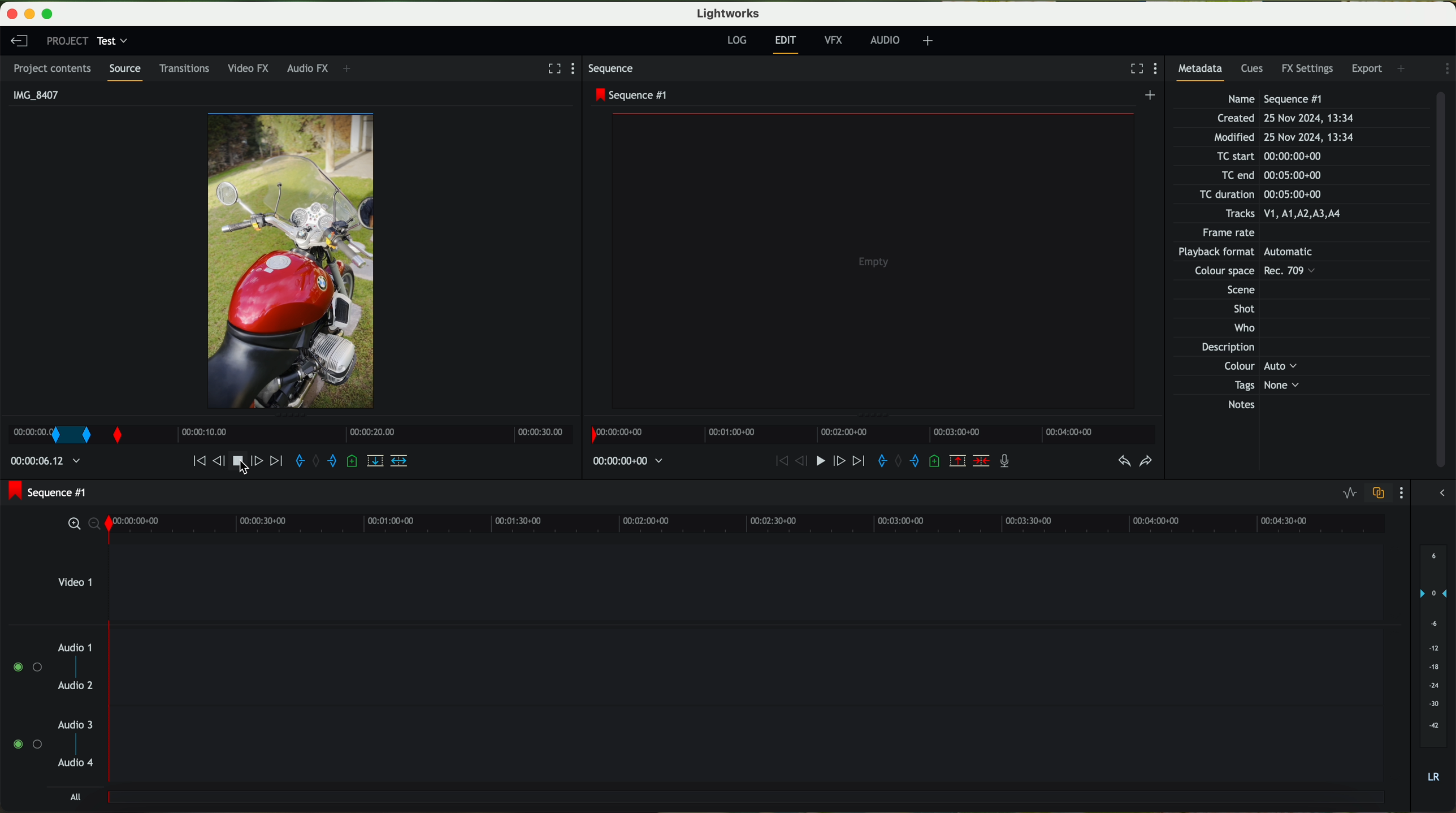 The width and height of the screenshot is (1456, 813). What do you see at coordinates (33, 94) in the screenshot?
I see `IMG_8407` at bounding box center [33, 94].